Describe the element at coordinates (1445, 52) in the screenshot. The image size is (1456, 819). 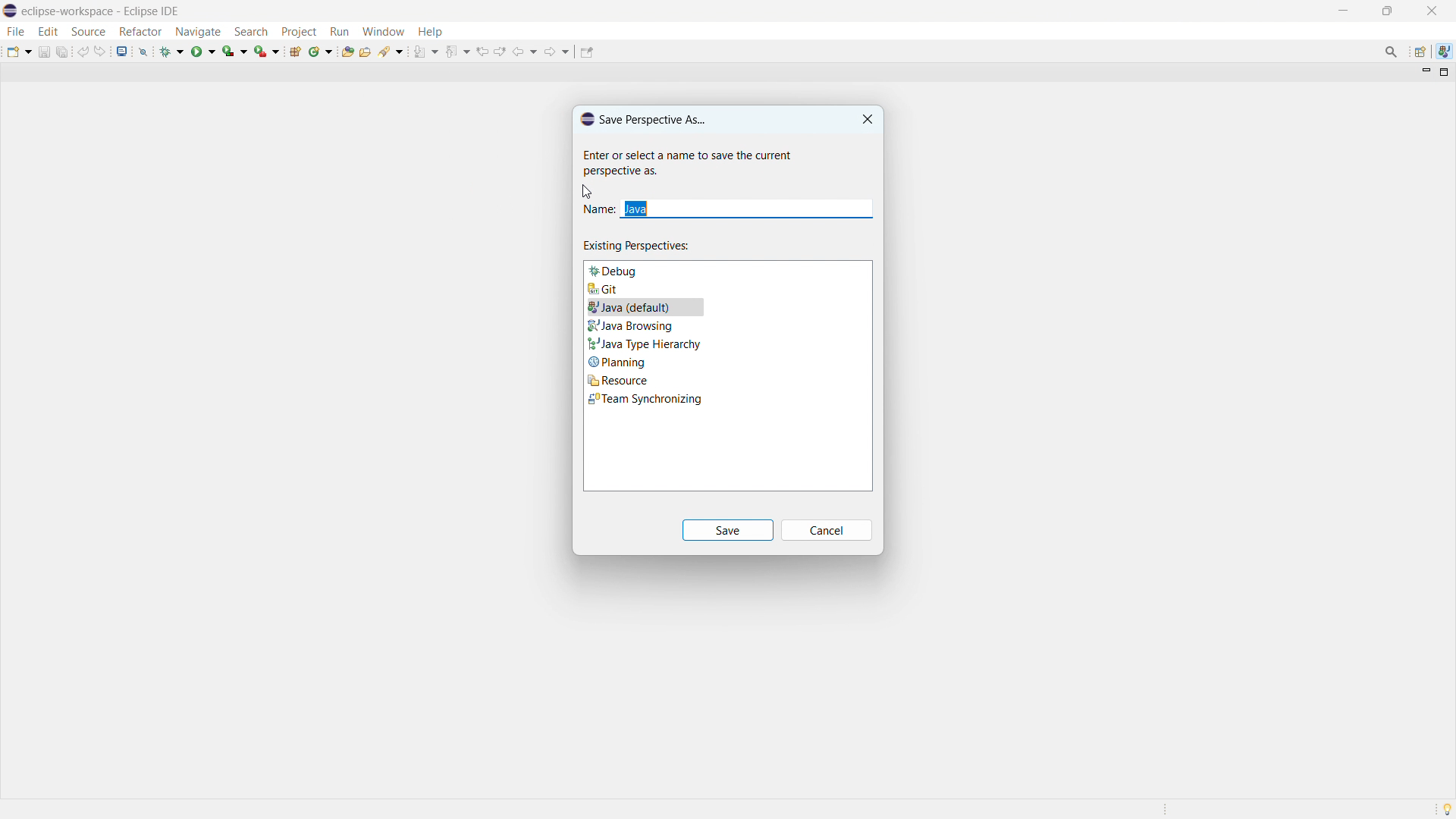
I see `java` at that location.